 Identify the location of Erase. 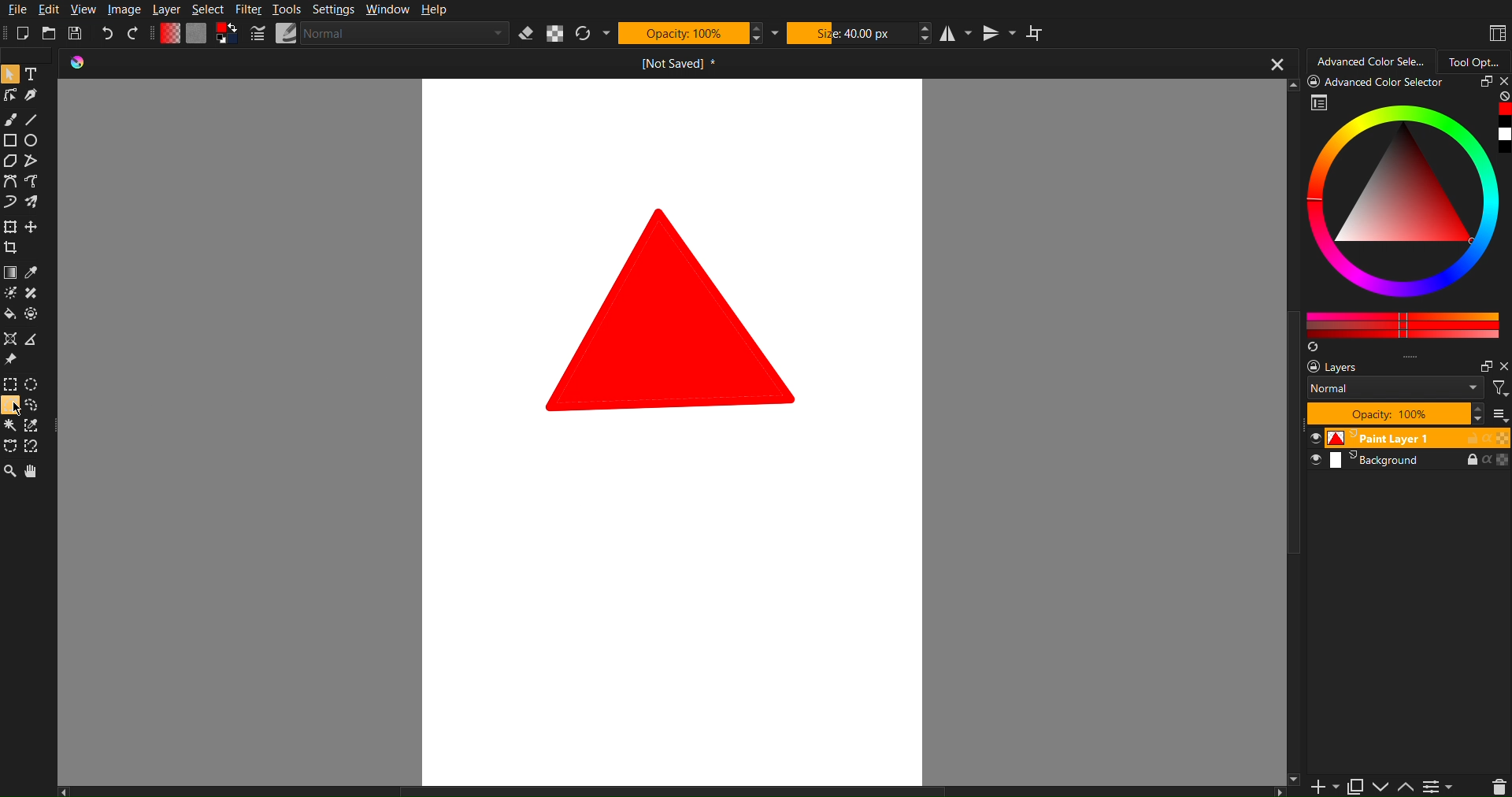
(524, 35).